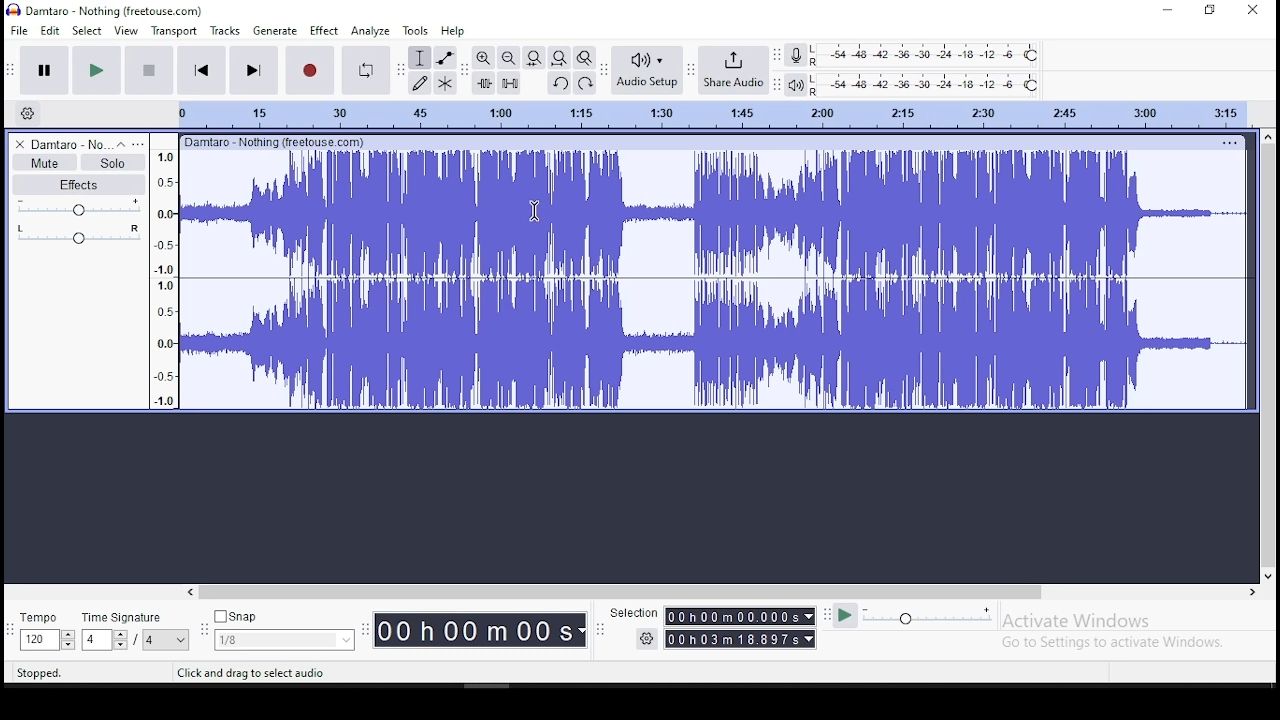 The image size is (1280, 720). Describe the element at coordinates (44, 629) in the screenshot. I see `tempo` at that location.